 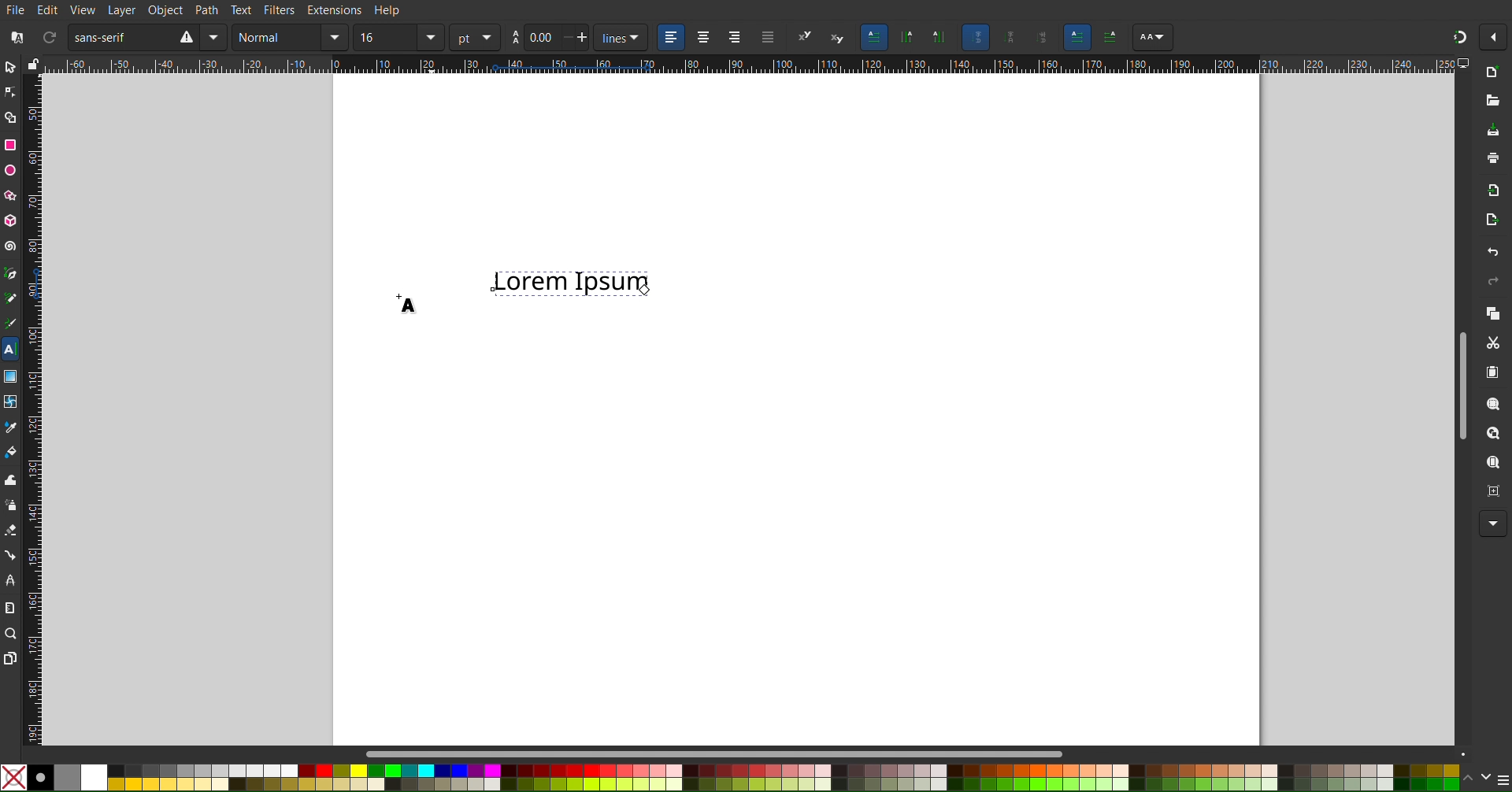 What do you see at coordinates (1493, 524) in the screenshot?
I see `More Options` at bounding box center [1493, 524].